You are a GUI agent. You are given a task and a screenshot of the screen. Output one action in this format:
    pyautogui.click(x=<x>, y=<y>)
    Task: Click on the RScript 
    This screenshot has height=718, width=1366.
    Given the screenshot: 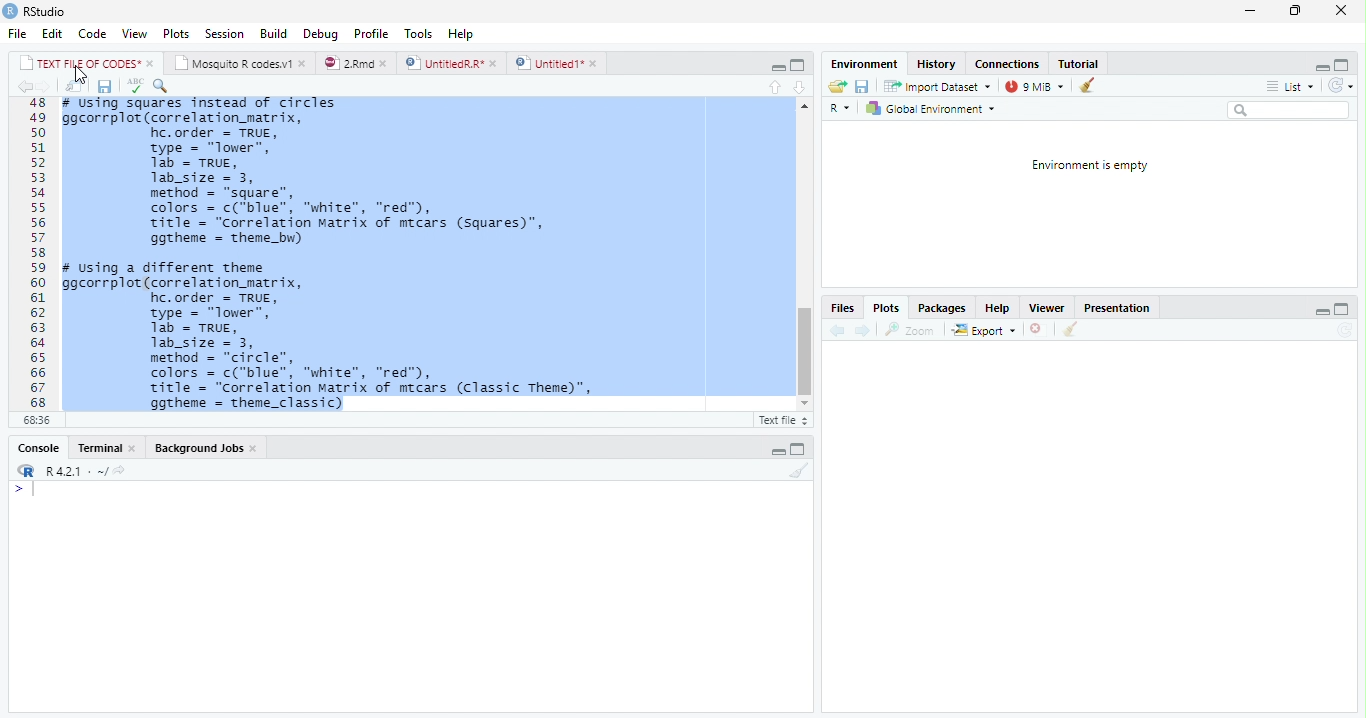 What is the action you would take?
    pyautogui.click(x=781, y=421)
    